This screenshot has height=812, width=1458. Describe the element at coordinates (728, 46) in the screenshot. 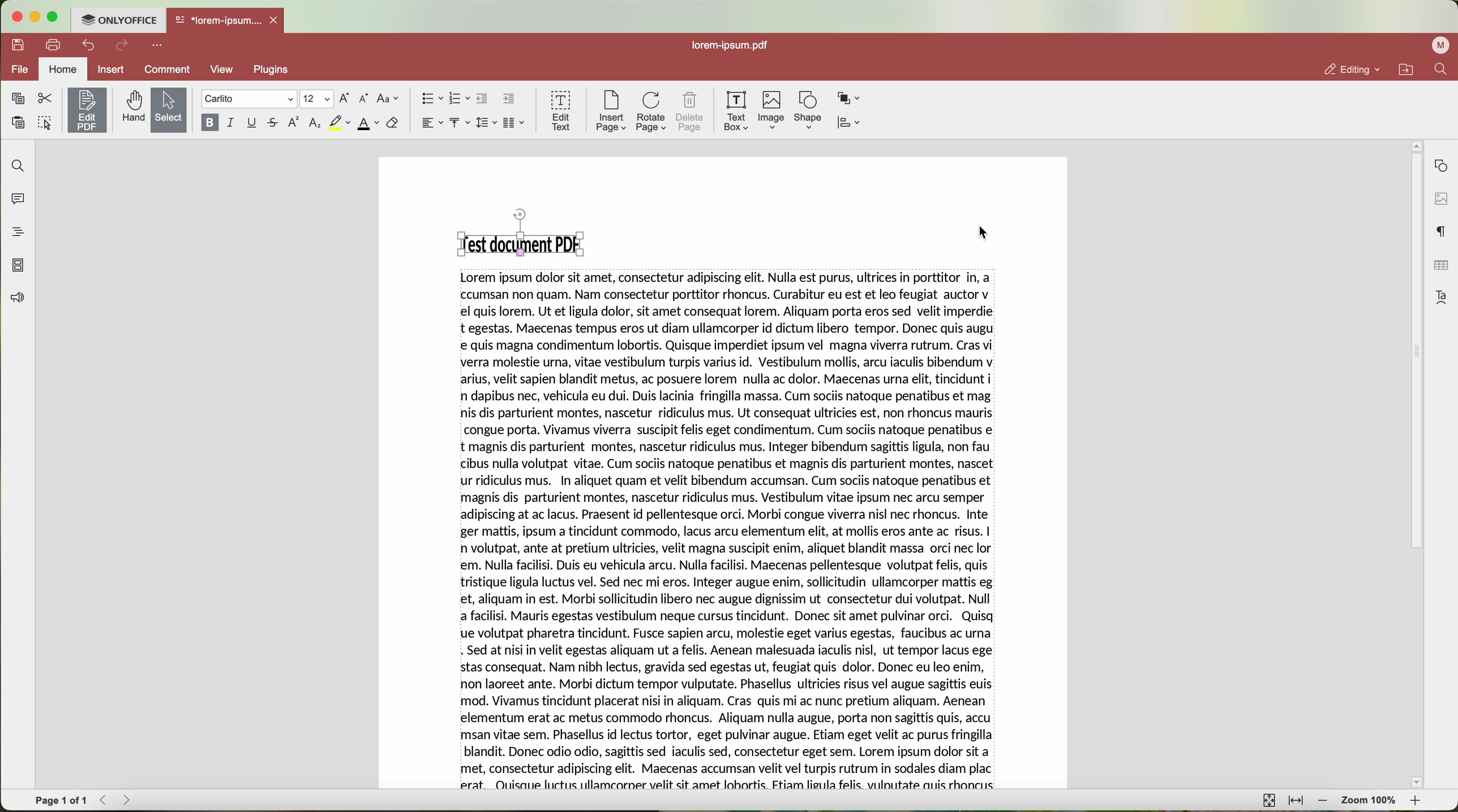

I see `lorem-ipsum.pdf` at that location.